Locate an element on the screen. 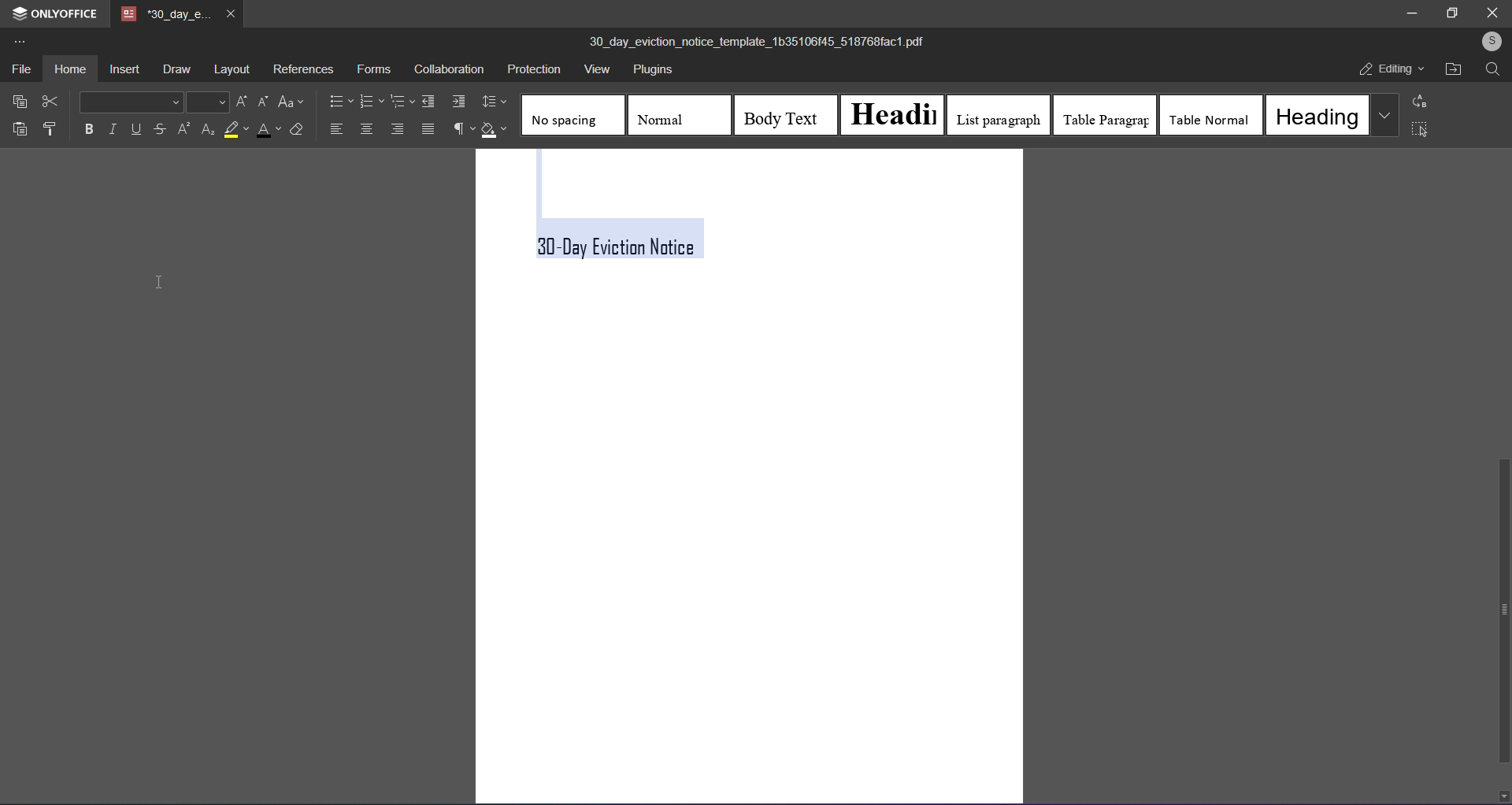  insert is located at coordinates (124, 68).